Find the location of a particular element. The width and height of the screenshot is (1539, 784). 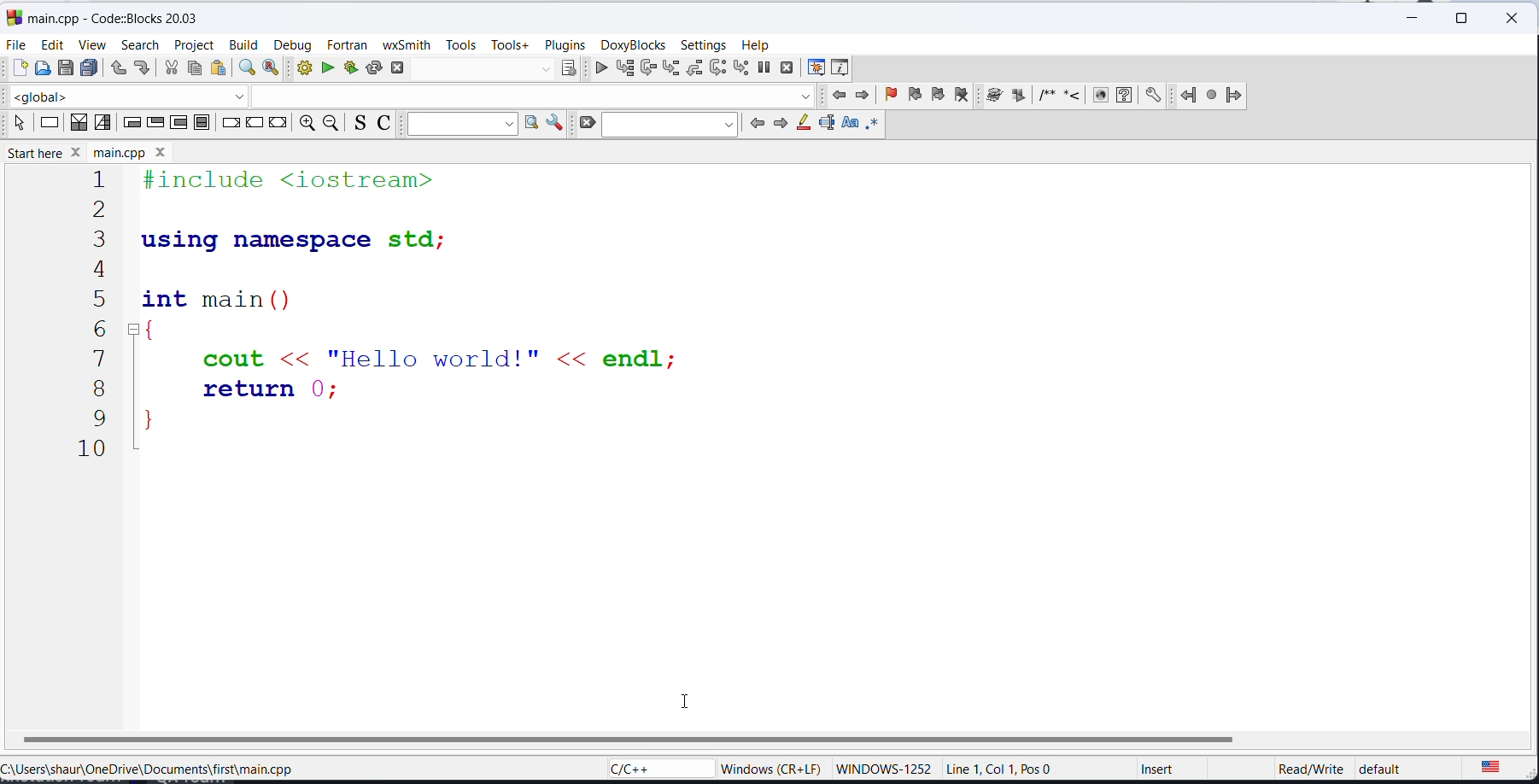

Global is located at coordinates (115, 94).